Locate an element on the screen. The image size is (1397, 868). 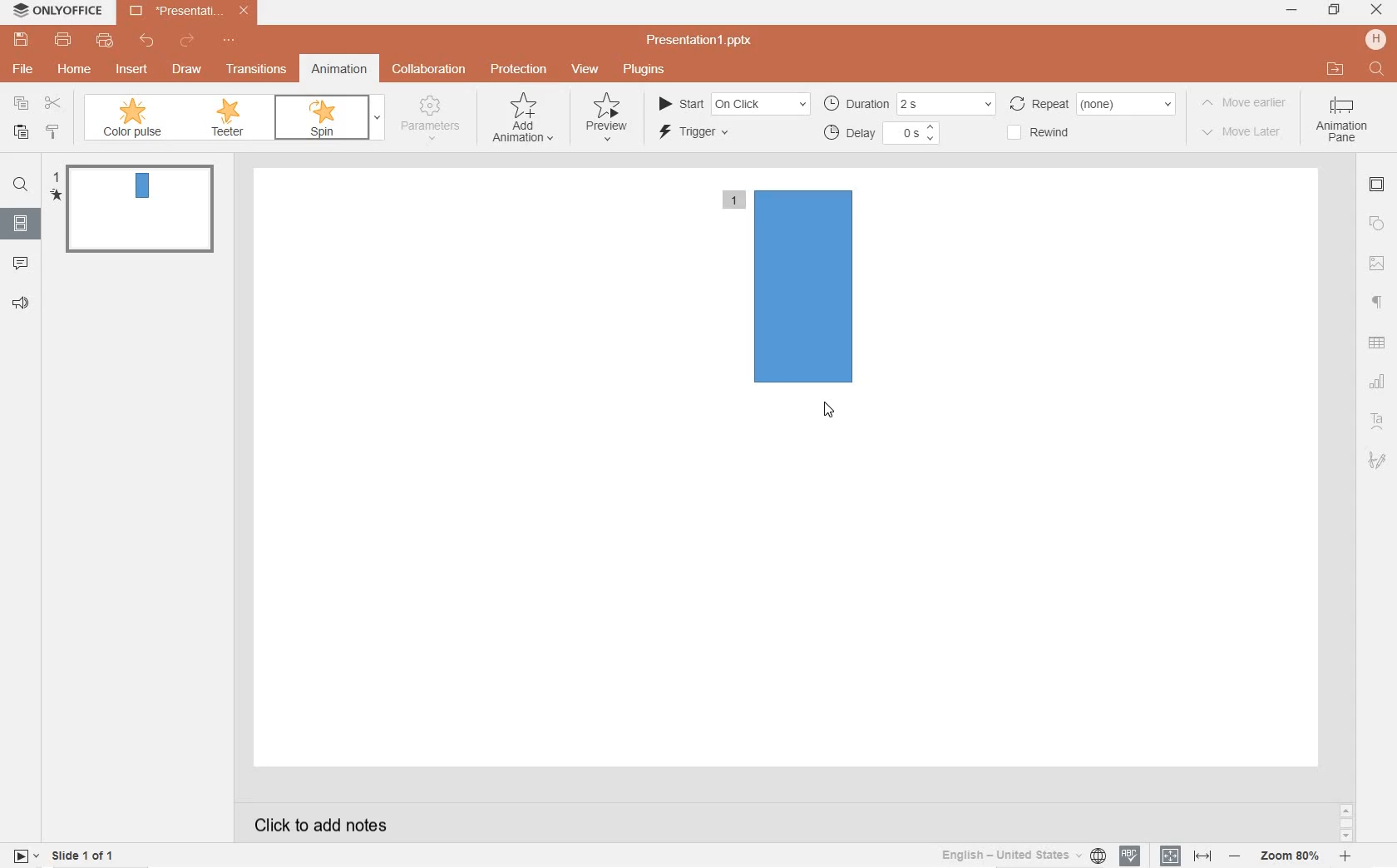
spin animation added to slide 1 is located at coordinates (136, 209).